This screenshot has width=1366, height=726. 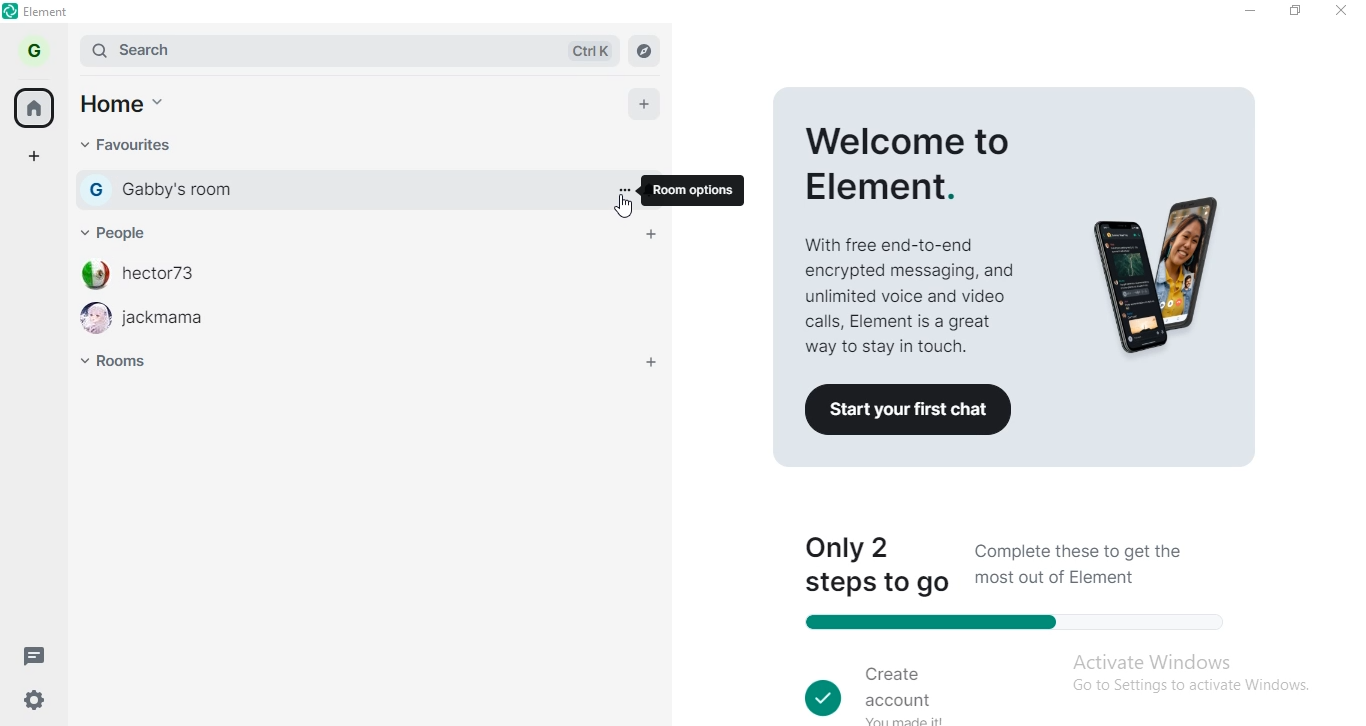 I want to click on ctrl k, so click(x=585, y=50).